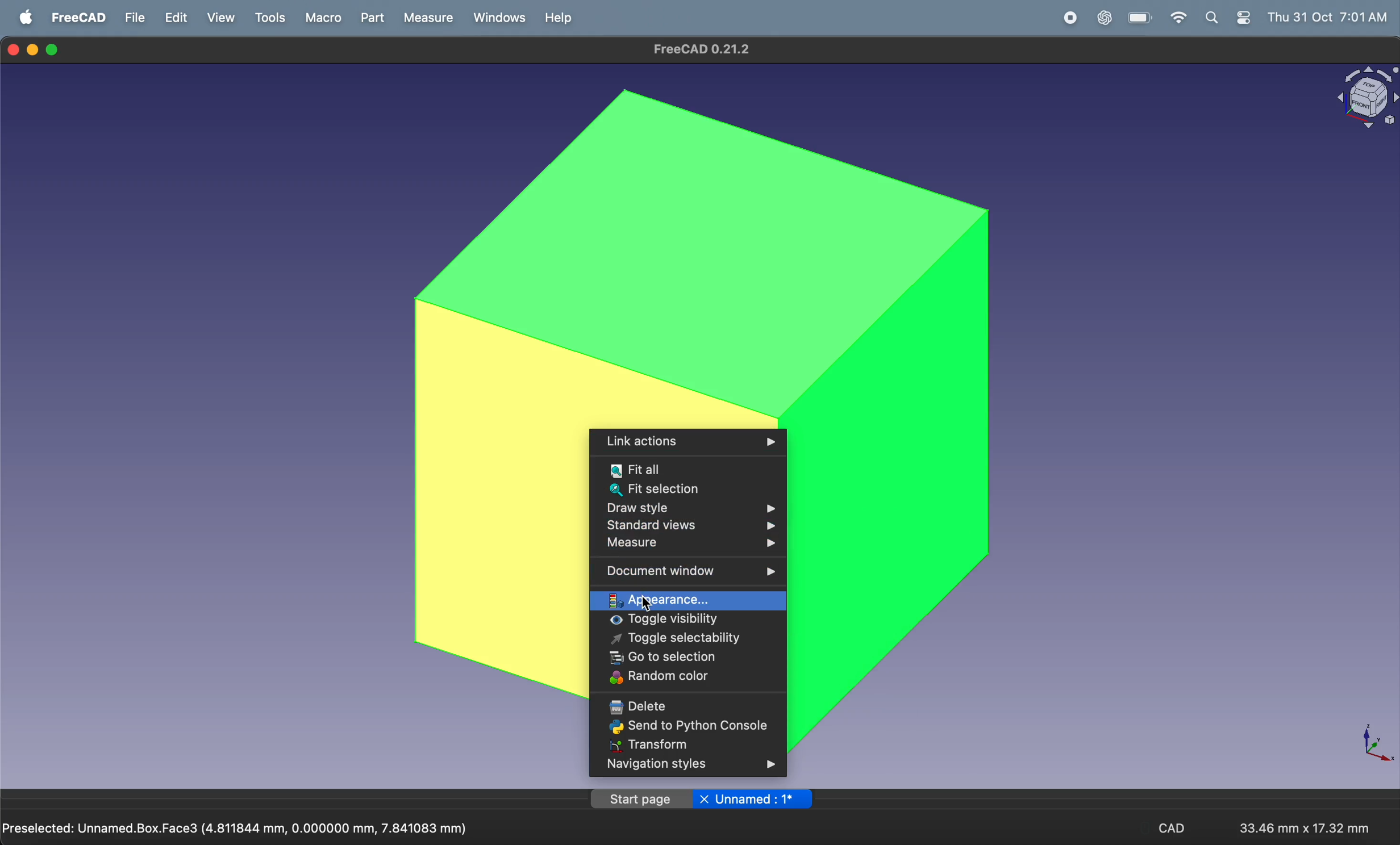  What do you see at coordinates (1330, 18) in the screenshot?
I see `Thu 31 oct 7.01 Am` at bounding box center [1330, 18].